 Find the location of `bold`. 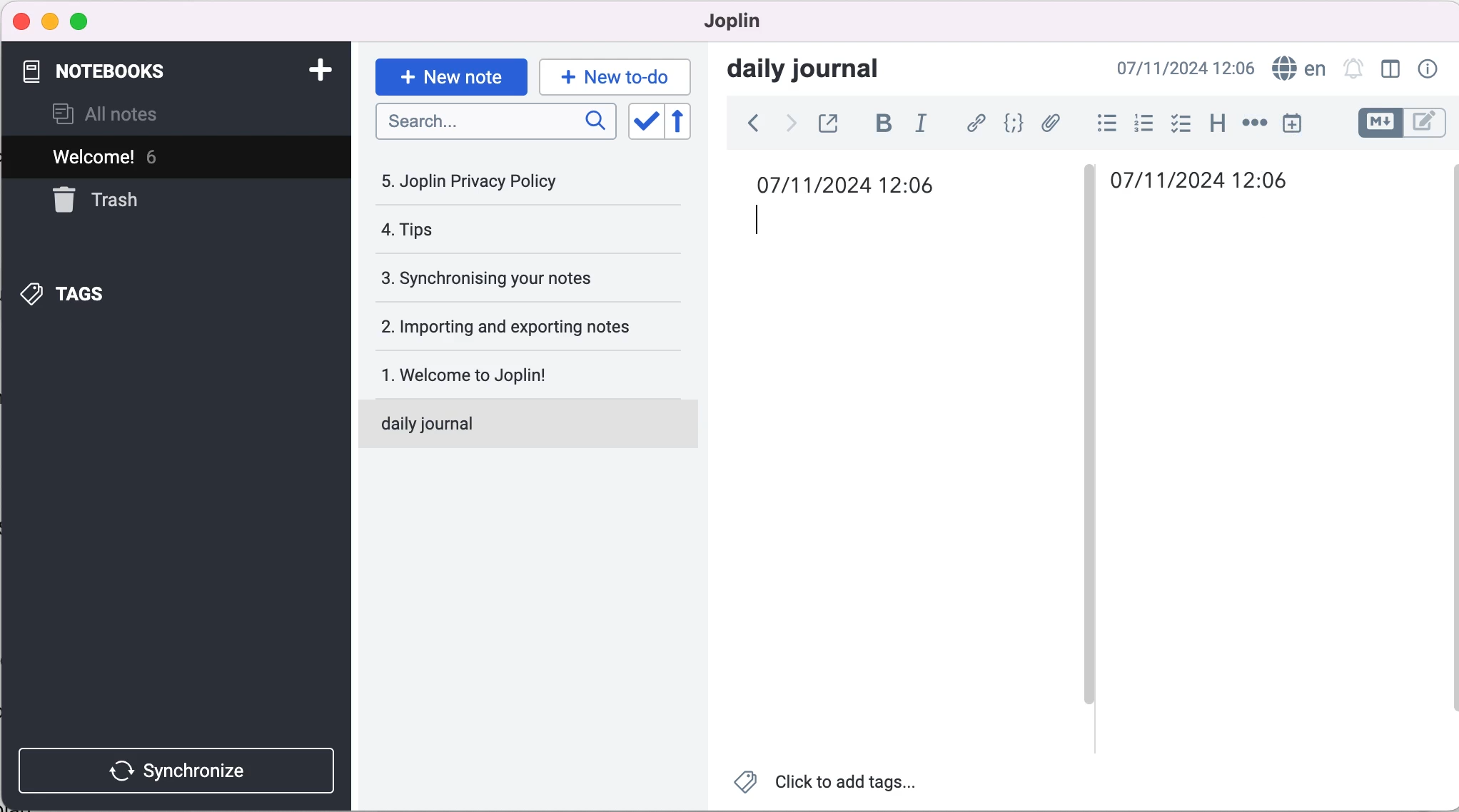

bold is located at coordinates (881, 124).